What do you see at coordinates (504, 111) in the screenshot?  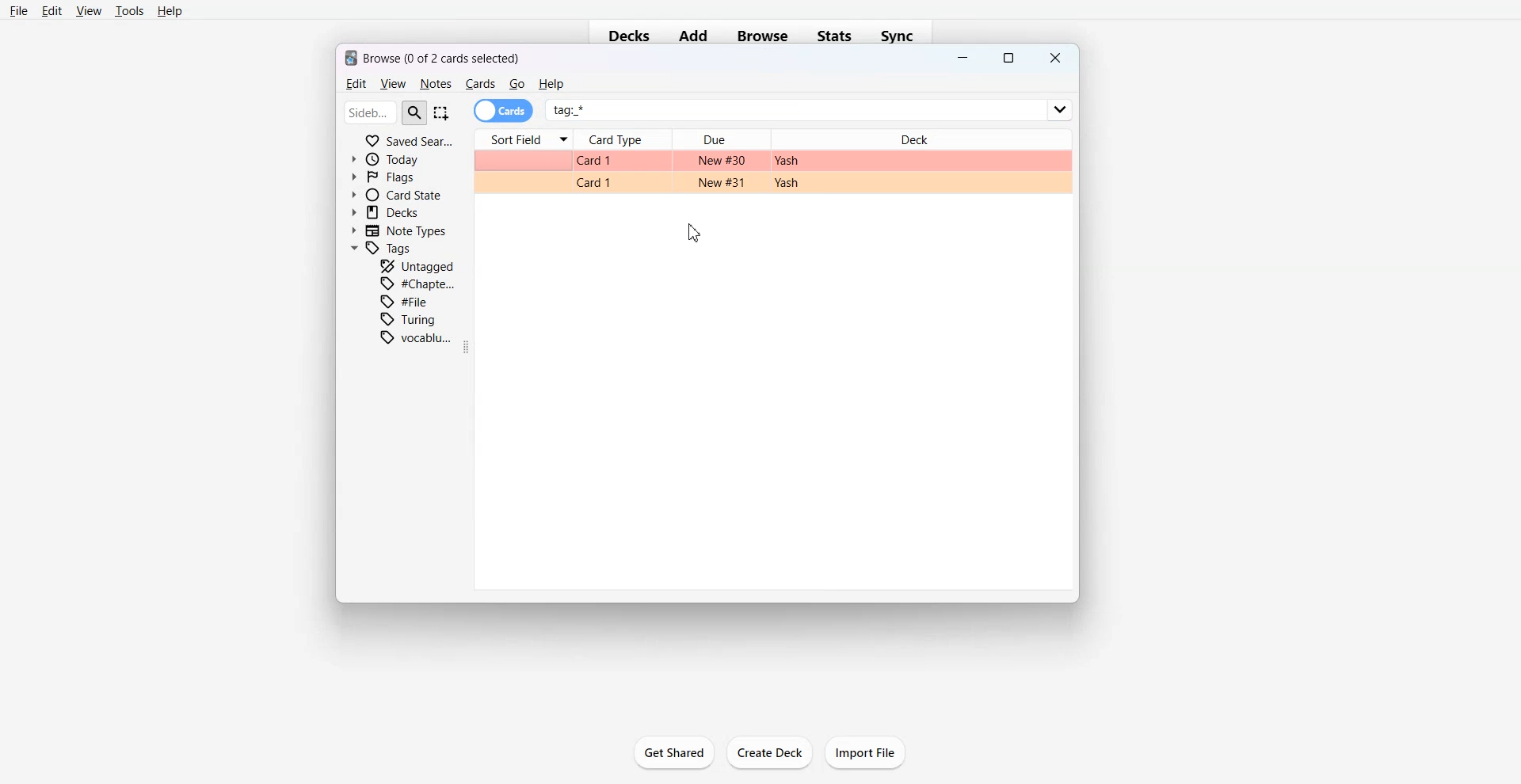 I see `Cards` at bounding box center [504, 111].